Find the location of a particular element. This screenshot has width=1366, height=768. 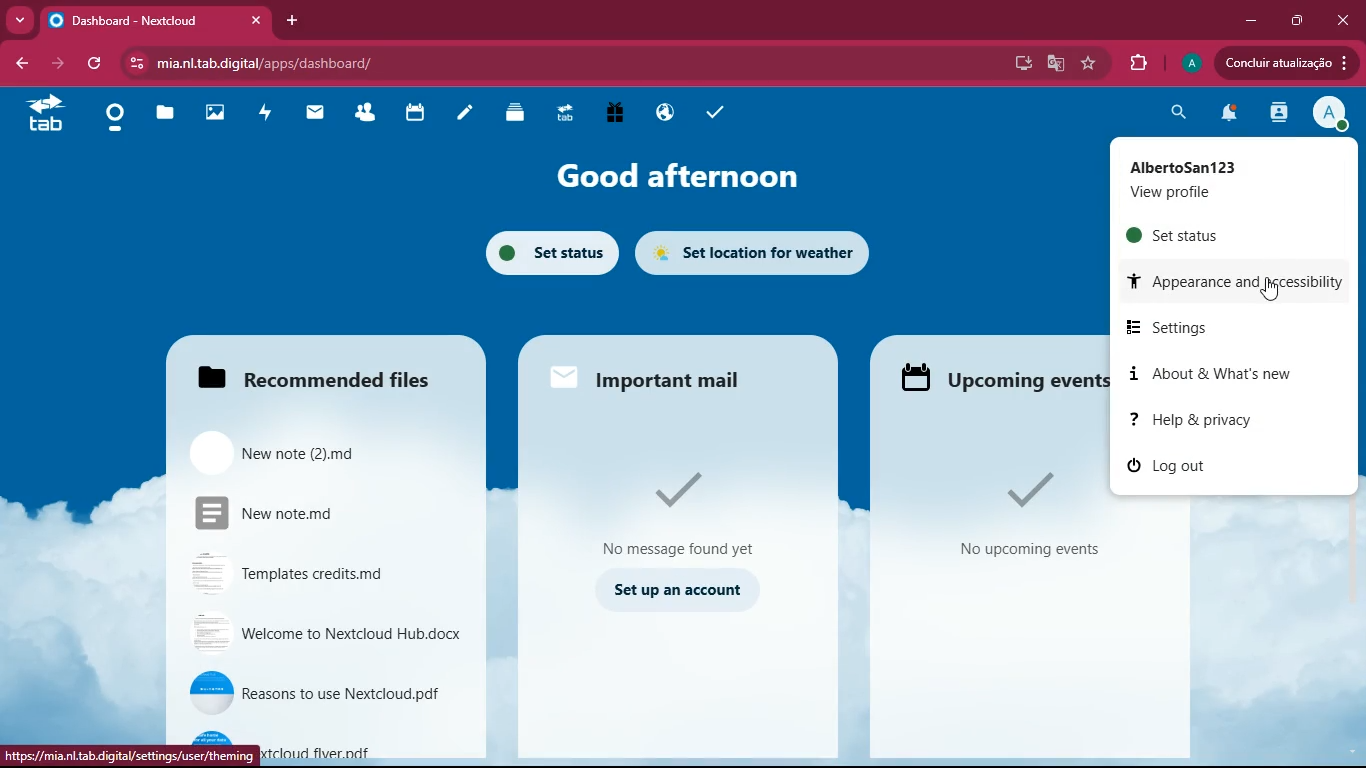

activity is located at coordinates (266, 118).